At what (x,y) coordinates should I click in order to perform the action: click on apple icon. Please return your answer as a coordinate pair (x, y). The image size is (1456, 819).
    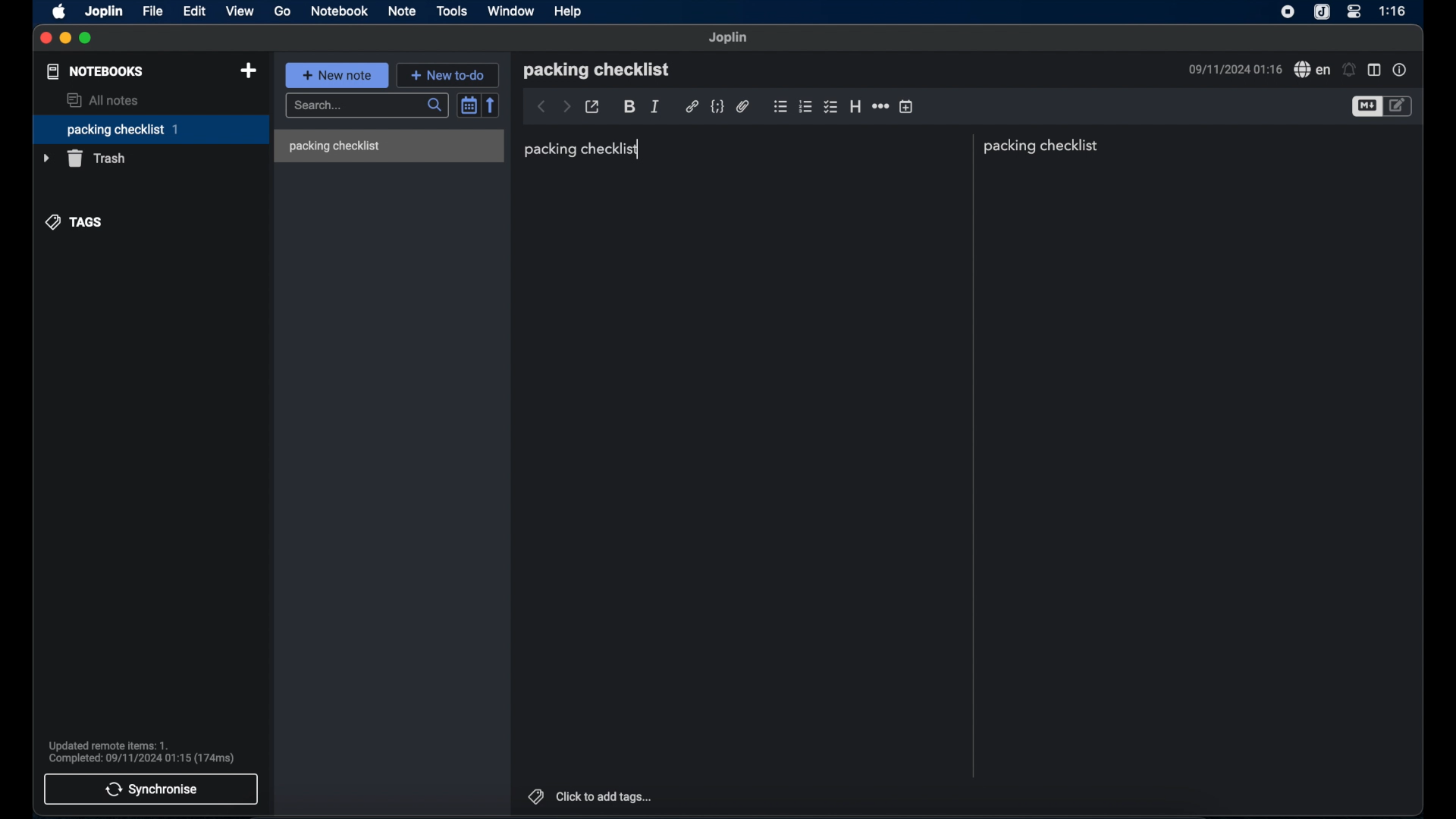
    Looking at the image, I should click on (58, 12).